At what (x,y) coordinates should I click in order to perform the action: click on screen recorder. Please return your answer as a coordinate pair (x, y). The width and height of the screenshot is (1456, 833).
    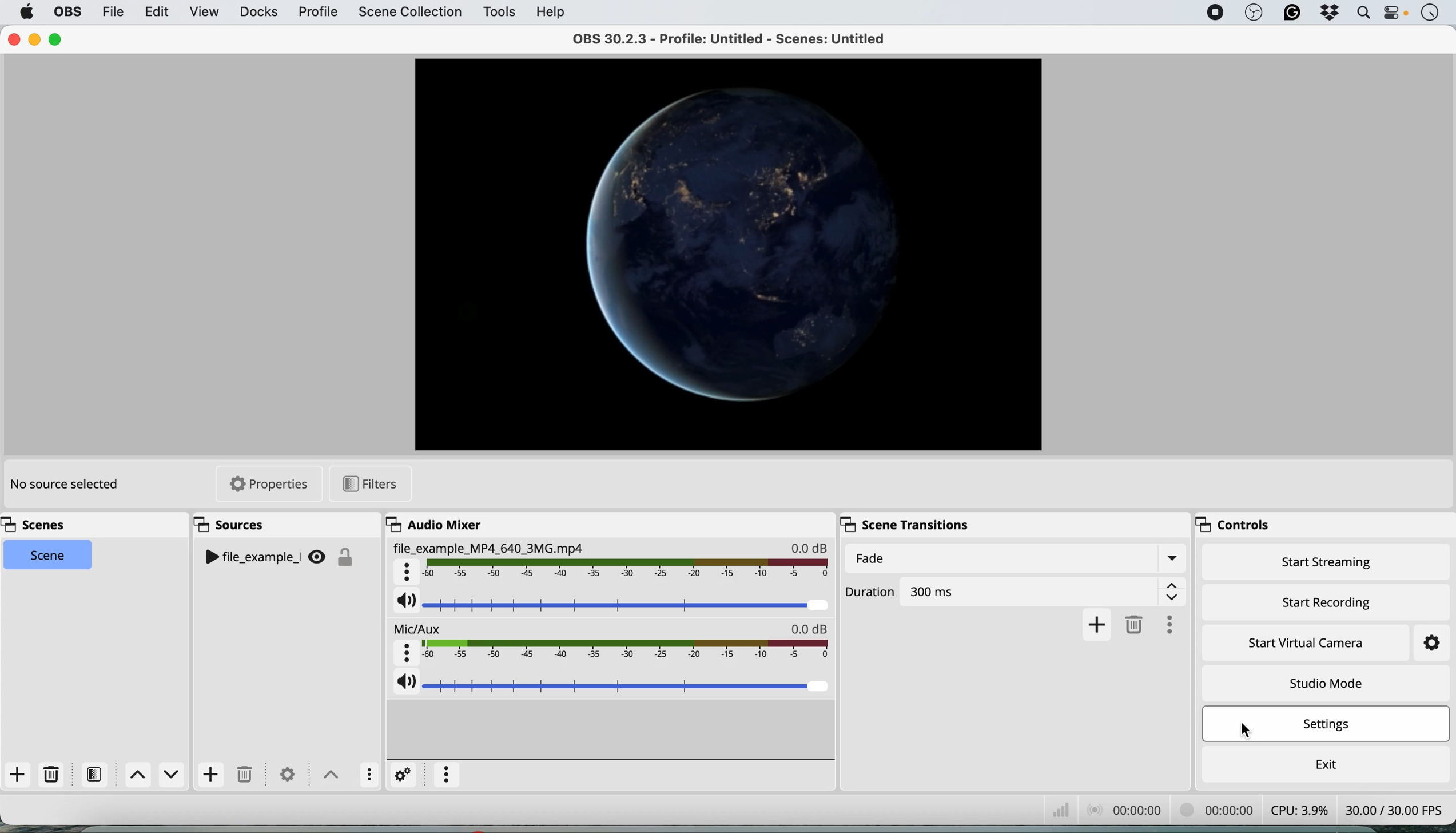
    Looking at the image, I should click on (1212, 13).